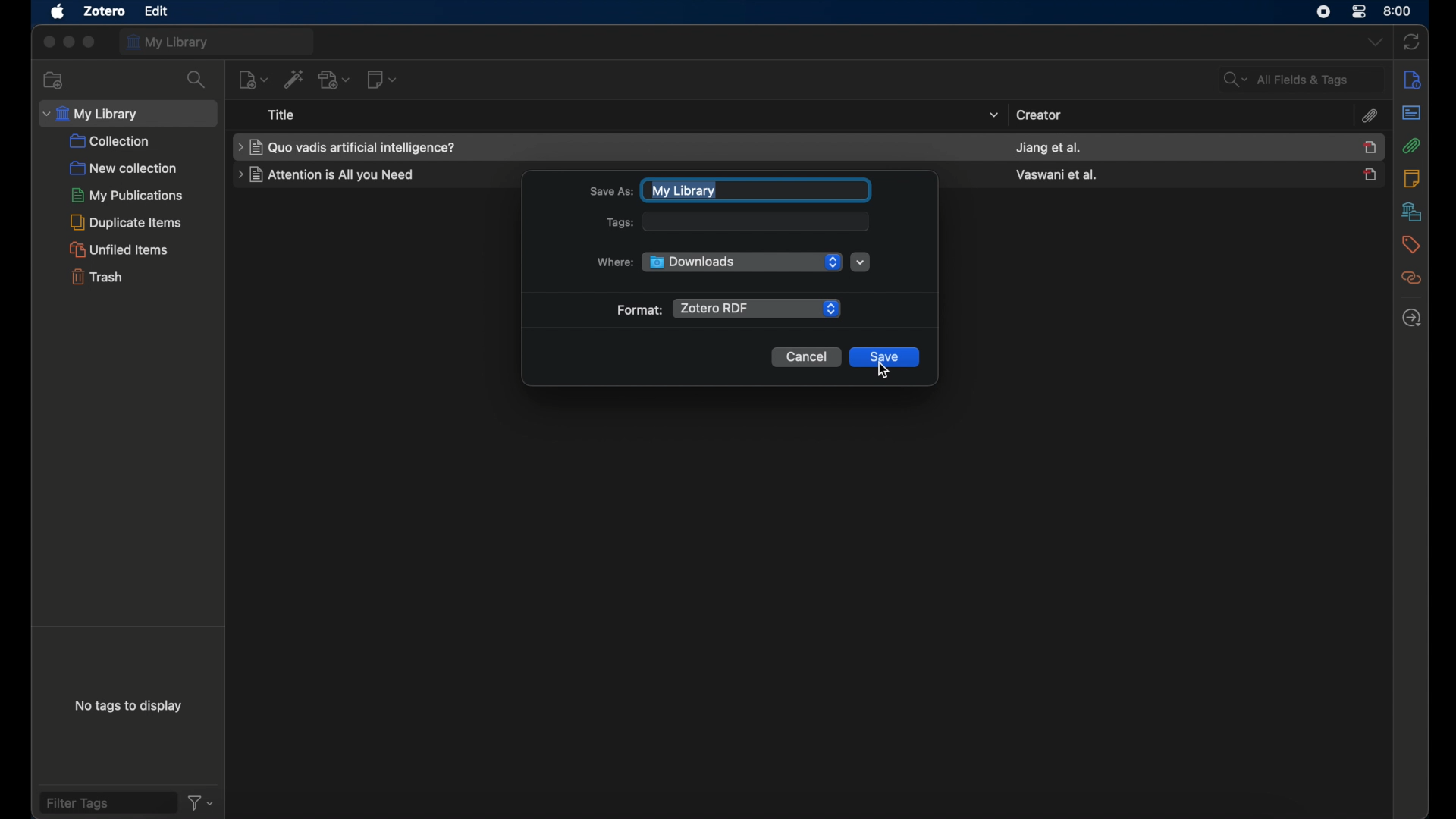 This screenshot has height=819, width=1456. I want to click on time, so click(1398, 11).